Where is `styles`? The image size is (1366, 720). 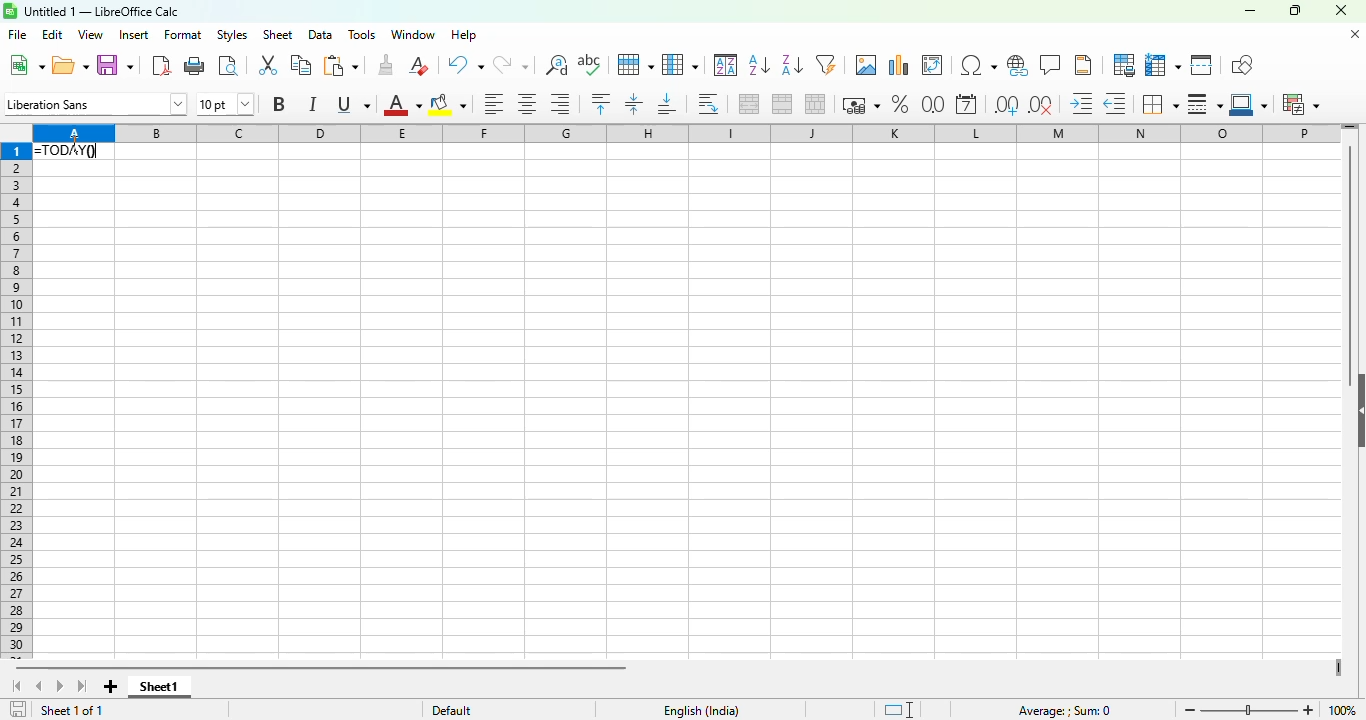
styles is located at coordinates (232, 34).